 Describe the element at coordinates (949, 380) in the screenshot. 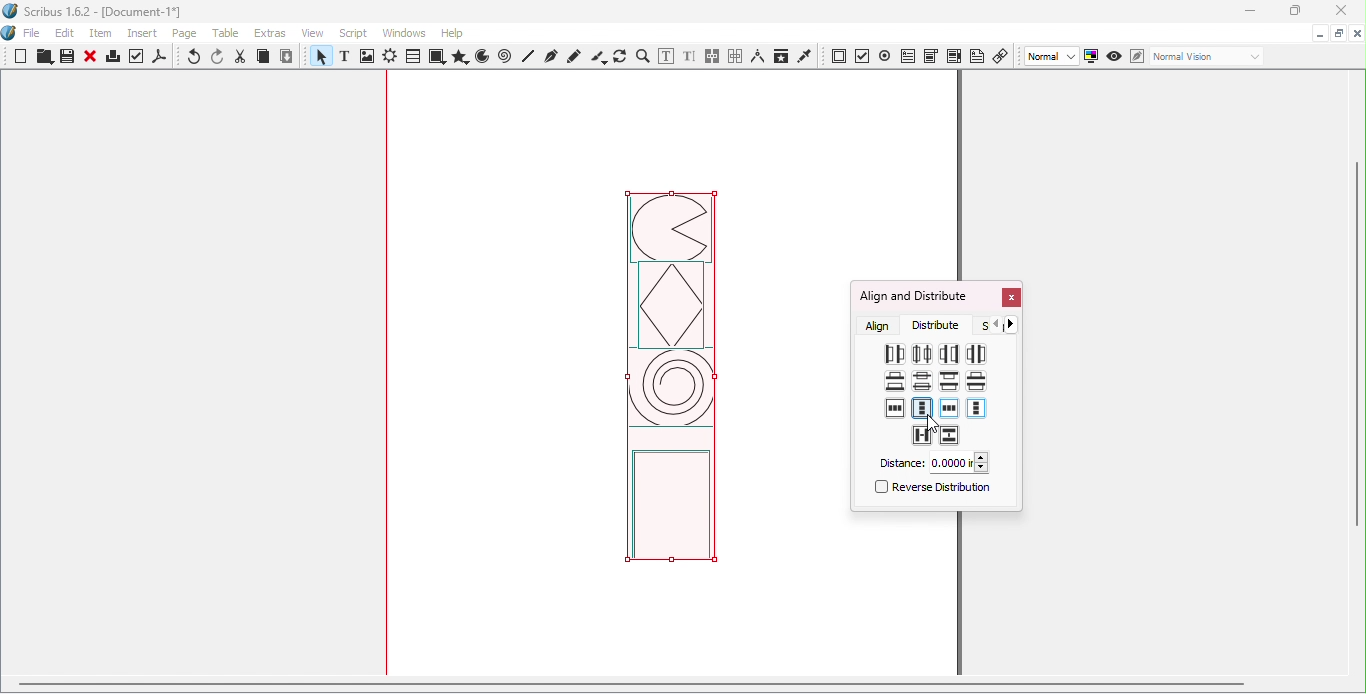

I see `Distribute tops equidistantly` at that location.